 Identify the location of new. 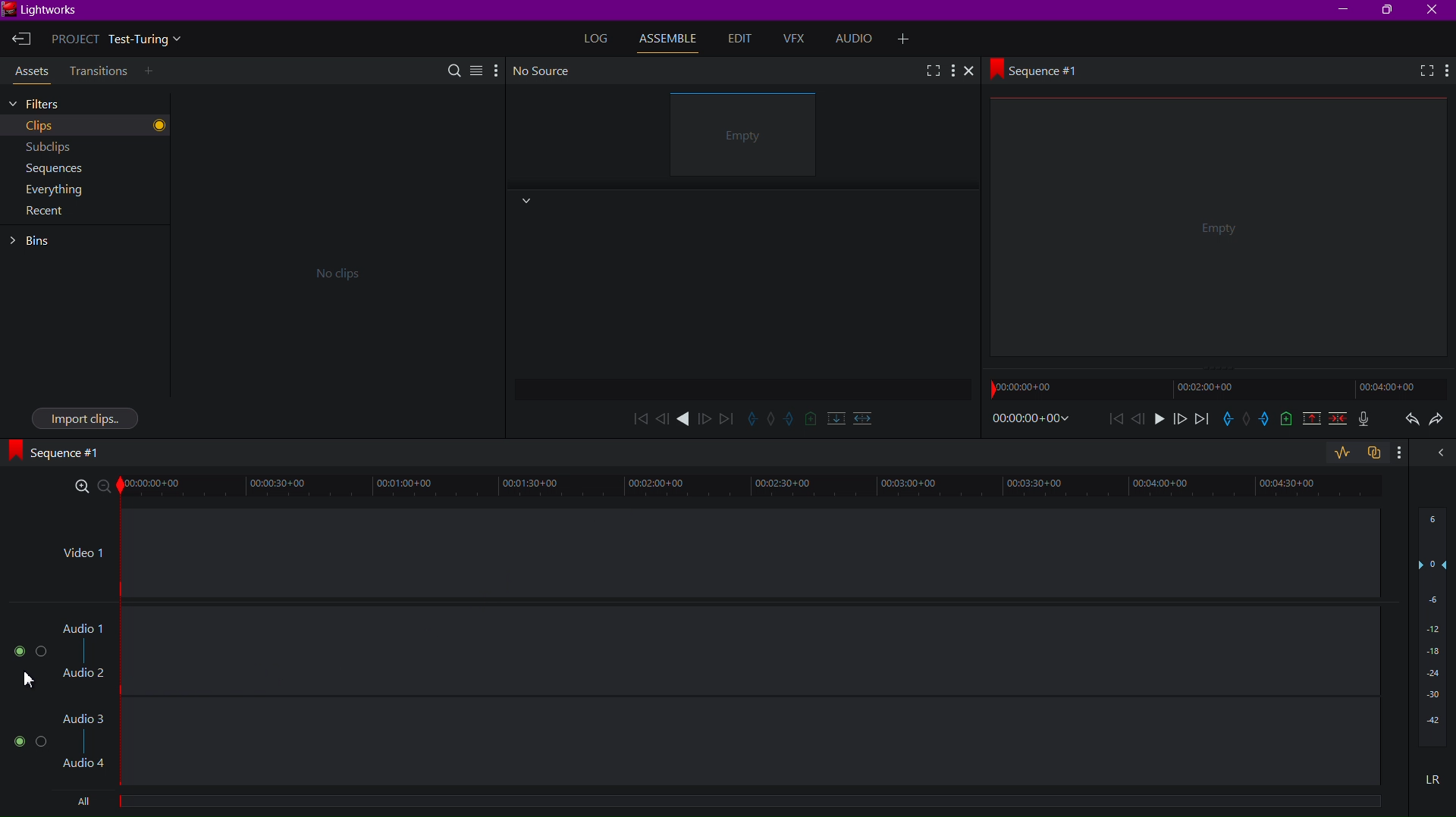
(1285, 421).